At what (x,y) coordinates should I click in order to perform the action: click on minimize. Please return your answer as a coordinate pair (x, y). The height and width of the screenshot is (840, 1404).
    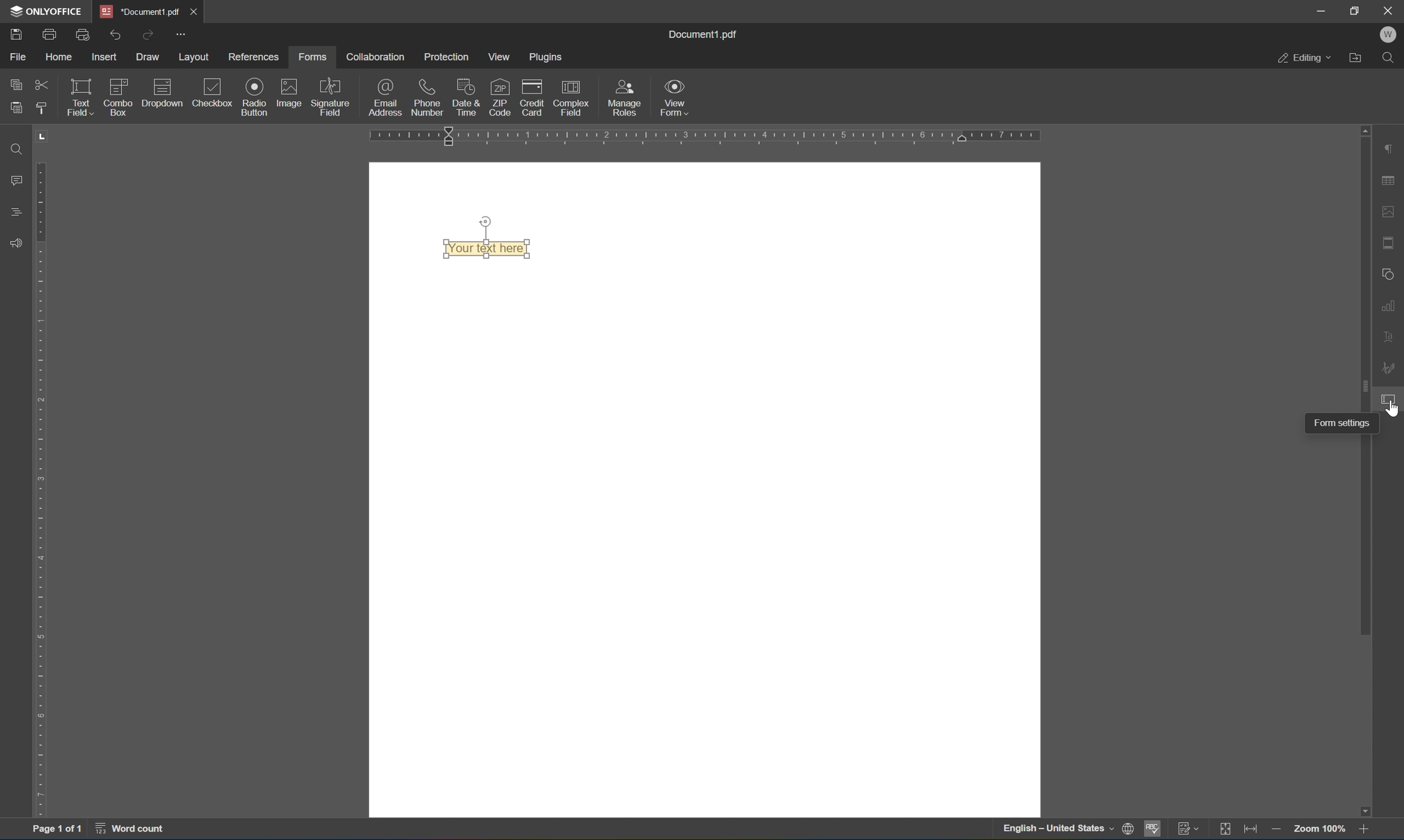
    Looking at the image, I should click on (1315, 10).